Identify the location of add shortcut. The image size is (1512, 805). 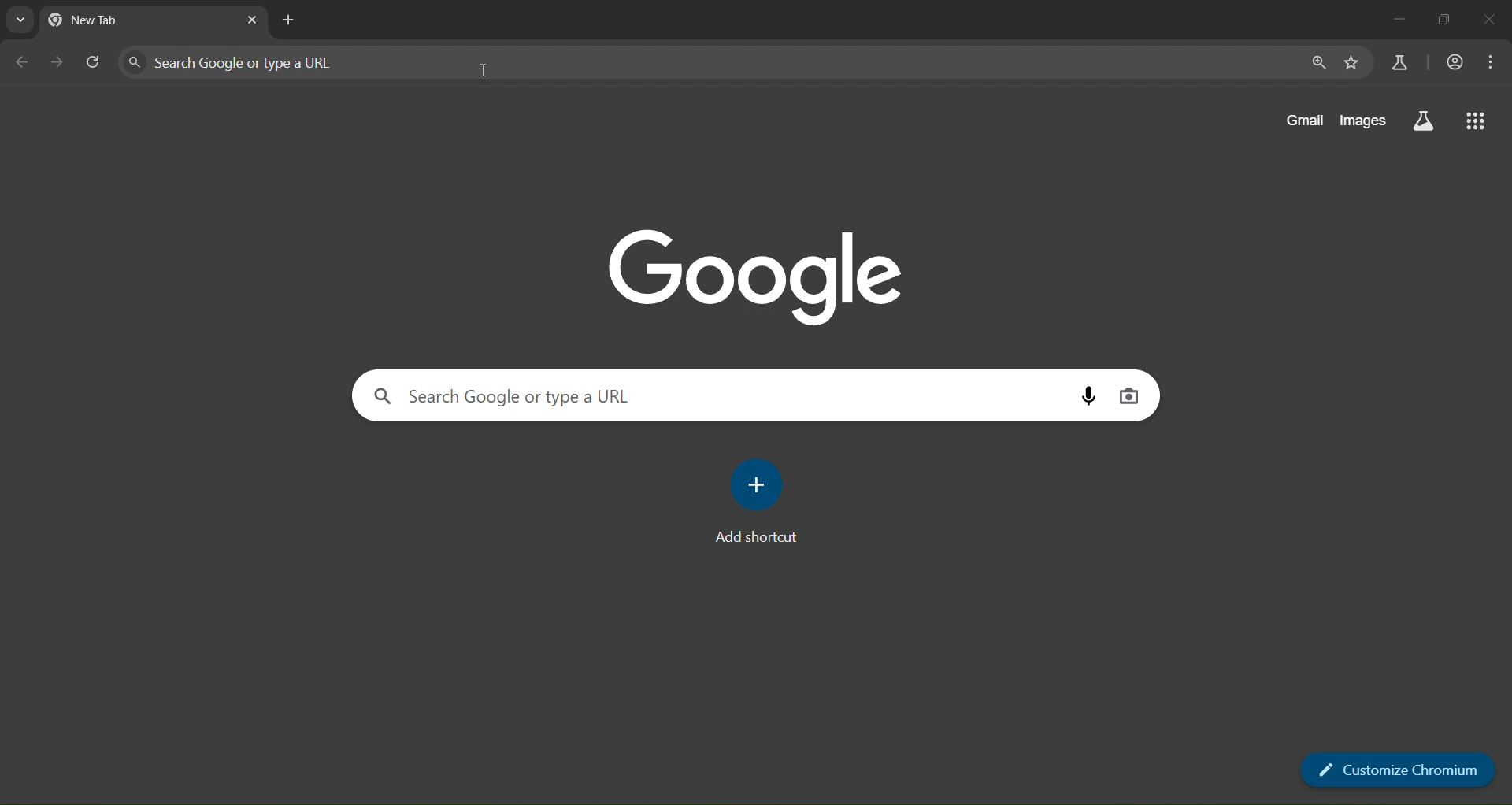
(760, 502).